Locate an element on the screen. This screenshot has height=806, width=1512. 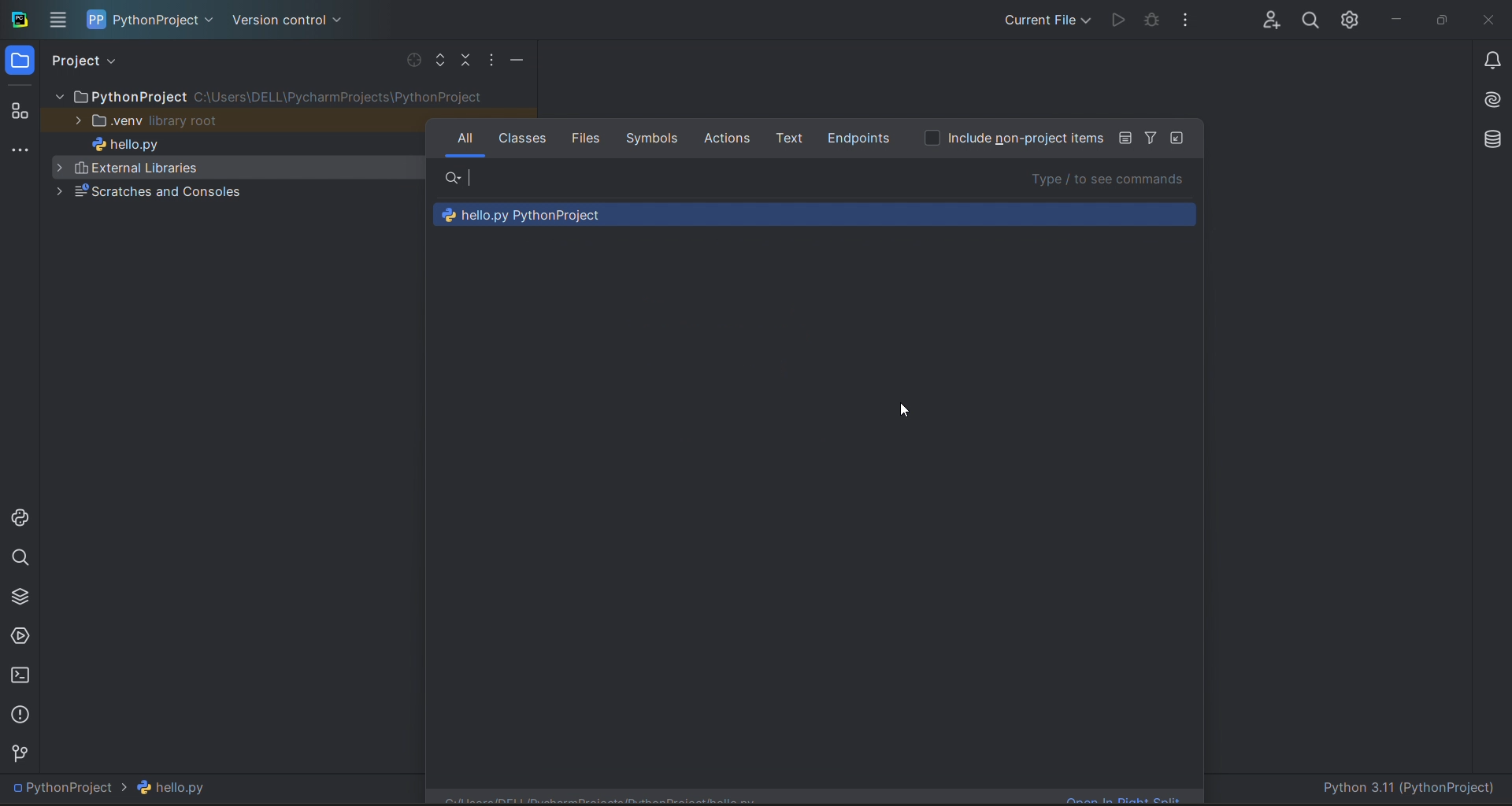
run is located at coordinates (1119, 20).